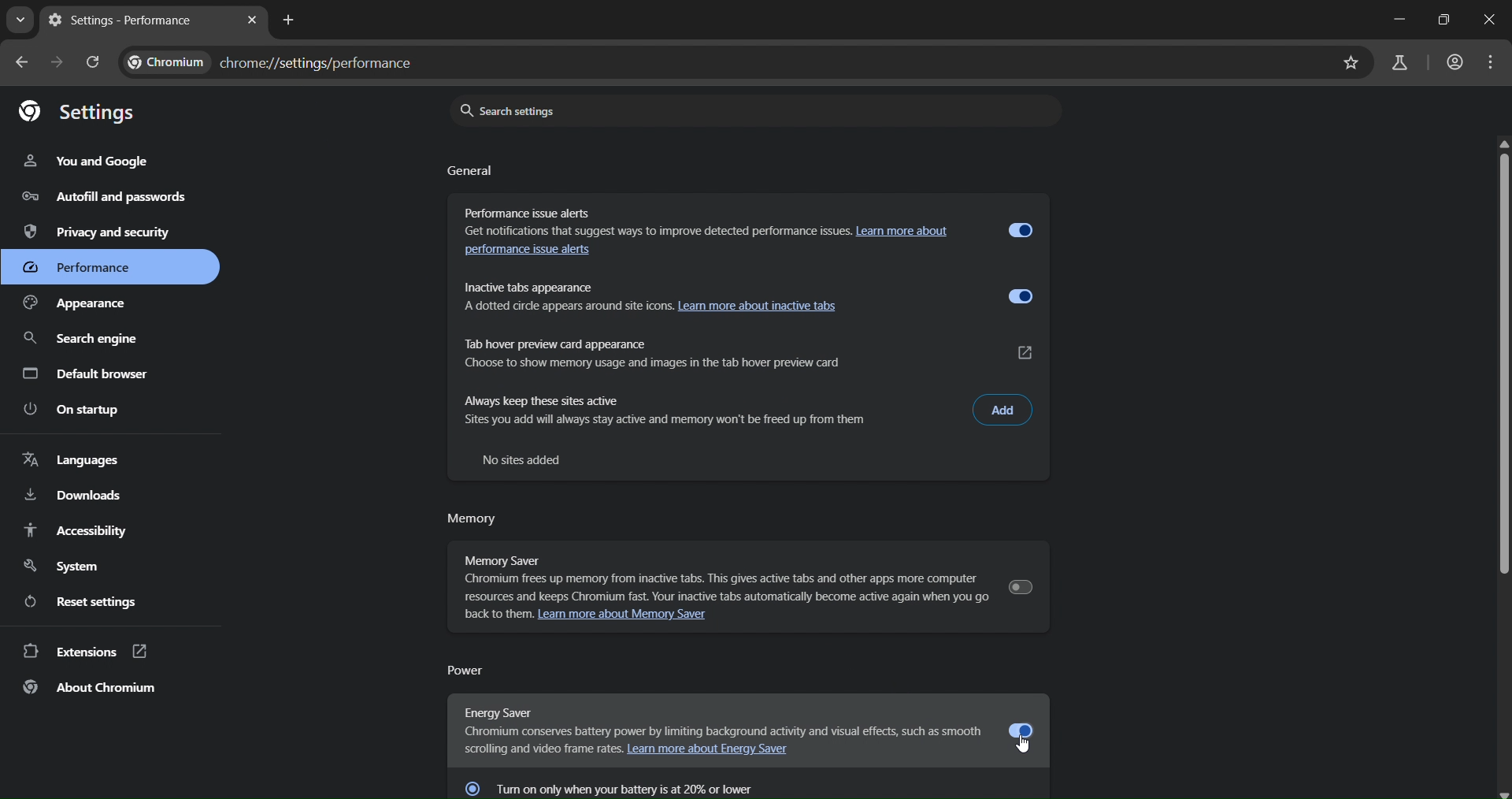 Image resolution: width=1512 pixels, height=799 pixels. Describe the element at coordinates (718, 721) in the screenshot. I see `energy saver` at that location.